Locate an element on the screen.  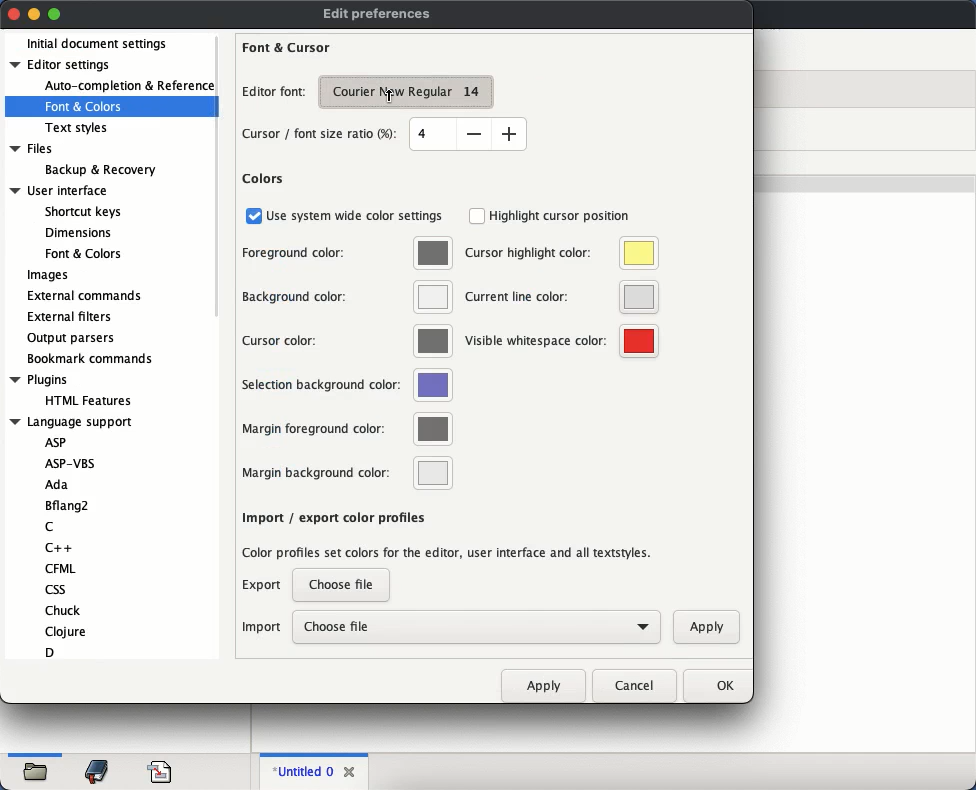
editor settings is located at coordinates (64, 64).